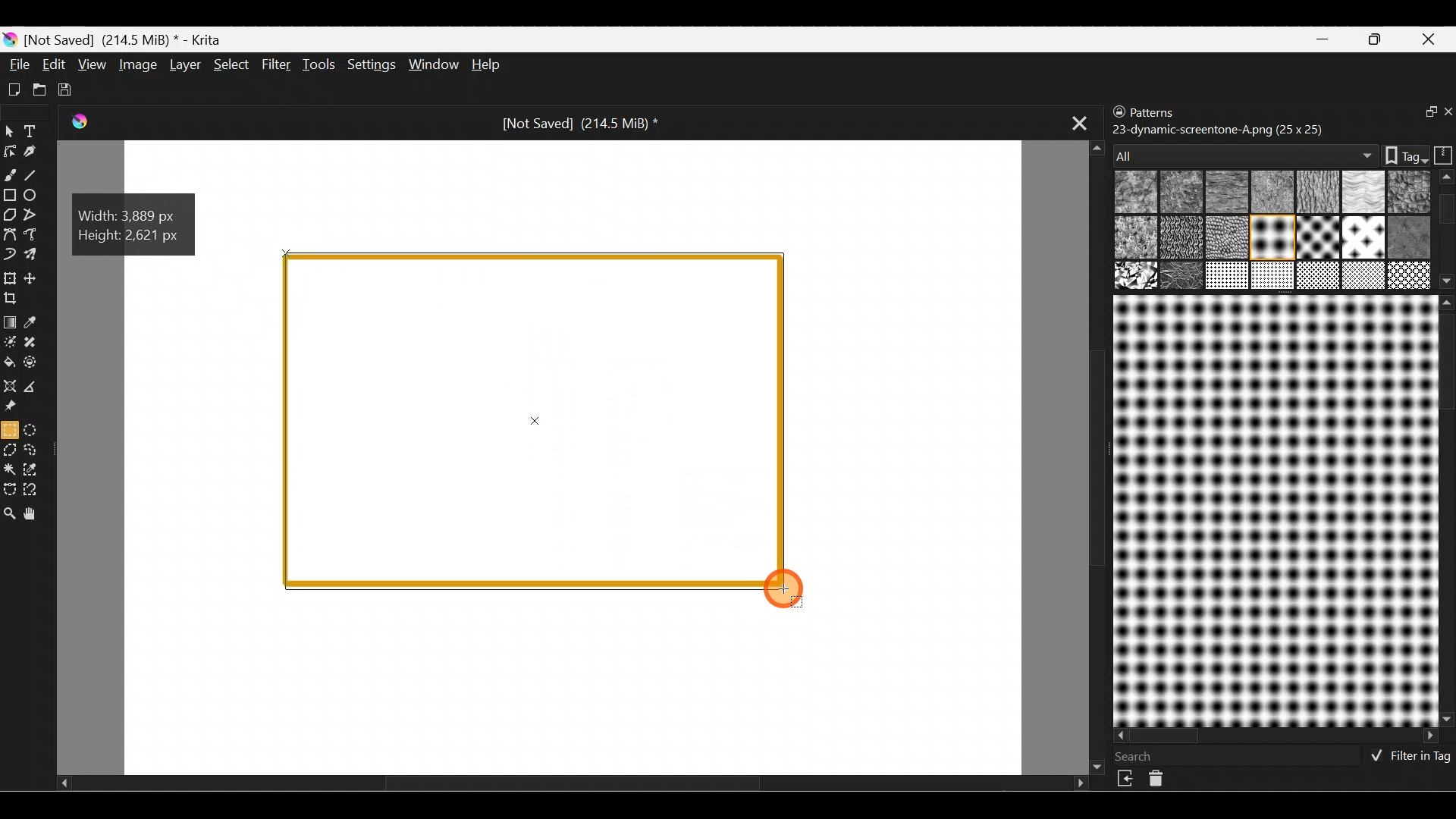 The image size is (1456, 819). What do you see at coordinates (1164, 109) in the screenshot?
I see `Patterns` at bounding box center [1164, 109].